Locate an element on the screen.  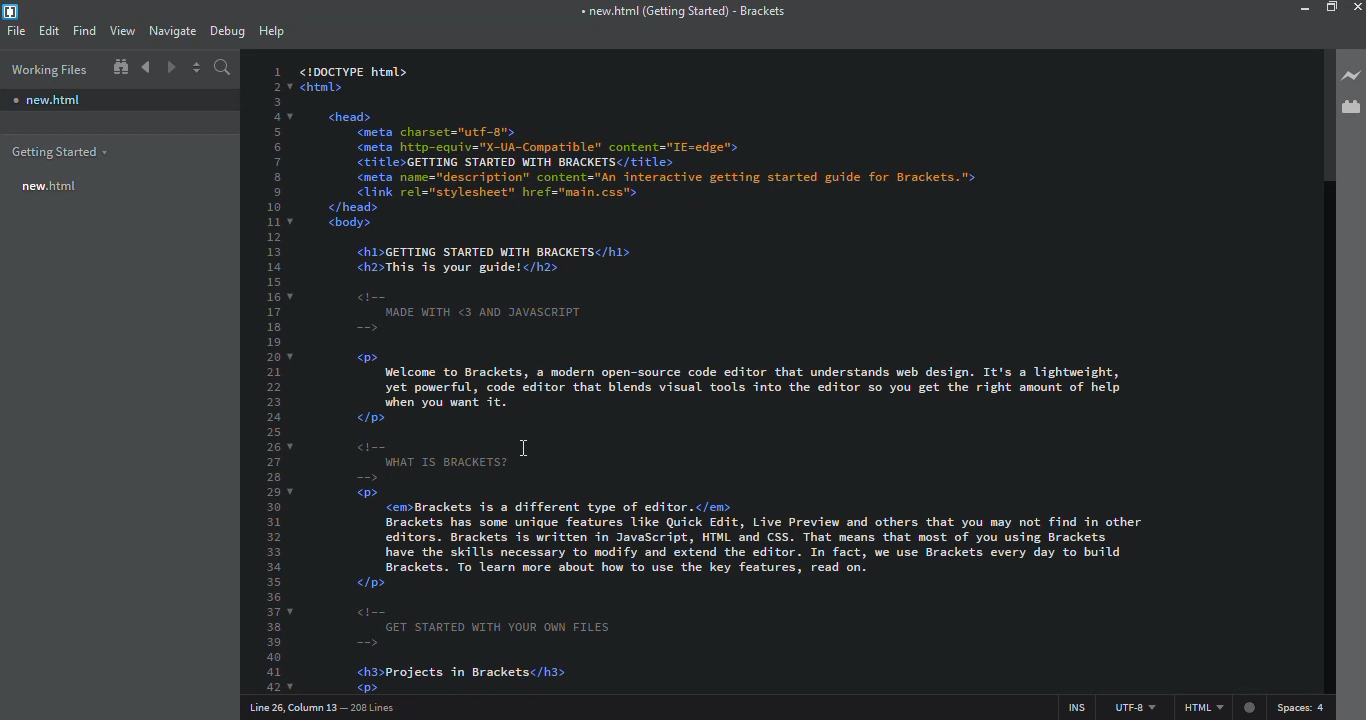
line is located at coordinates (328, 707).